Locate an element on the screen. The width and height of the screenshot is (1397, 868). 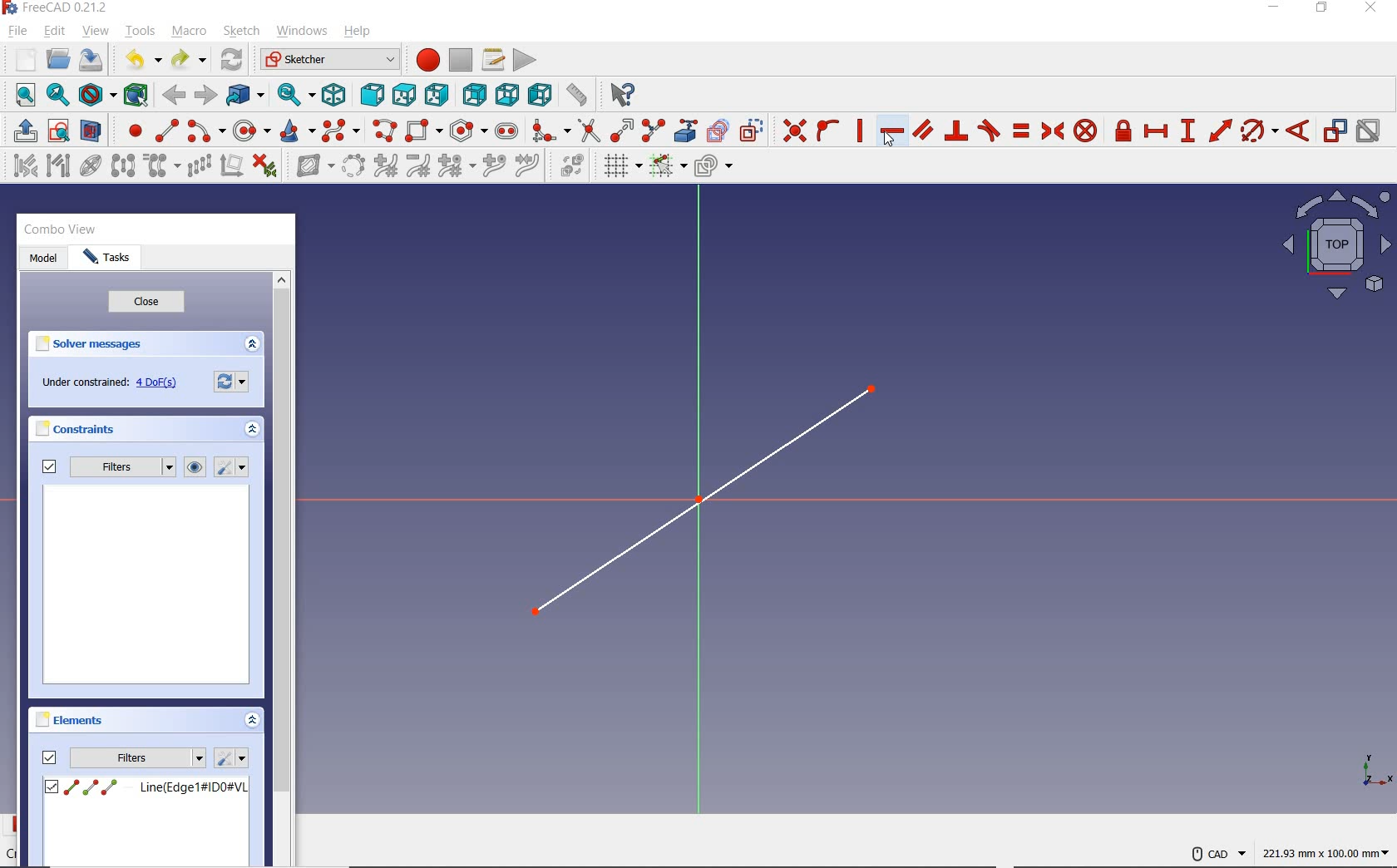
CAD Navigation Style is located at coordinates (1217, 853).